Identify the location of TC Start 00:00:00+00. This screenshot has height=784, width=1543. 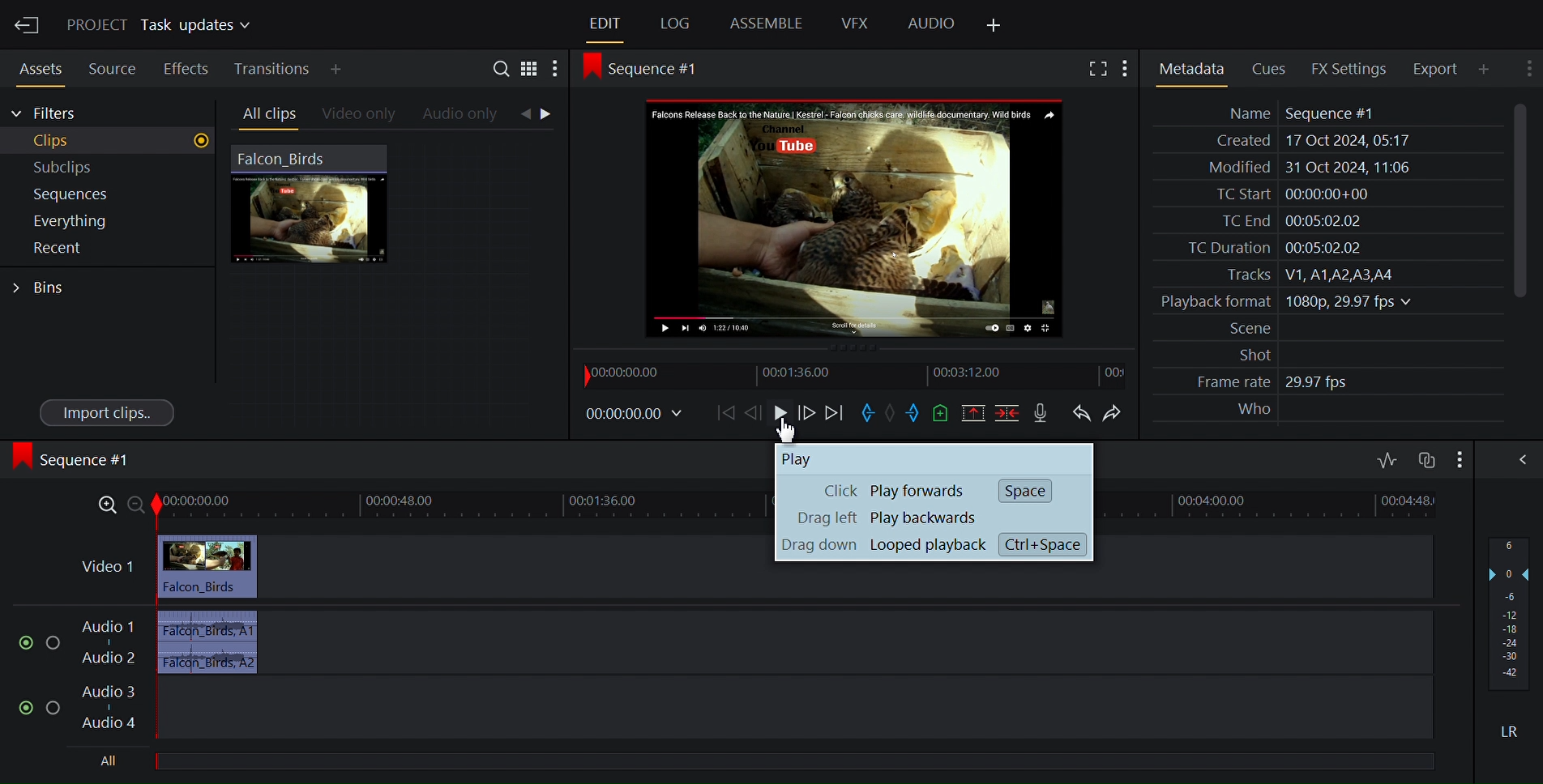
(1287, 194).